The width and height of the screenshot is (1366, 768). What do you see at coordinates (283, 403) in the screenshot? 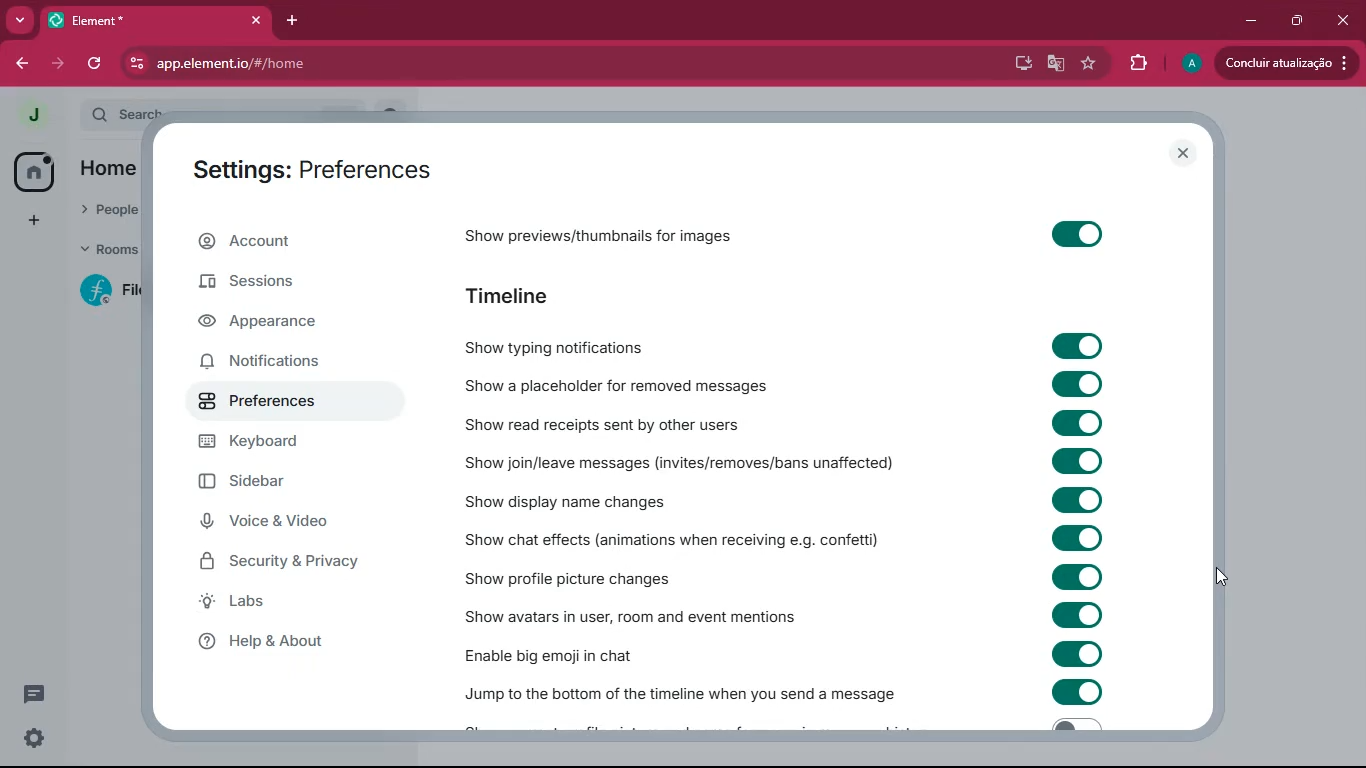
I see `preferences` at bounding box center [283, 403].